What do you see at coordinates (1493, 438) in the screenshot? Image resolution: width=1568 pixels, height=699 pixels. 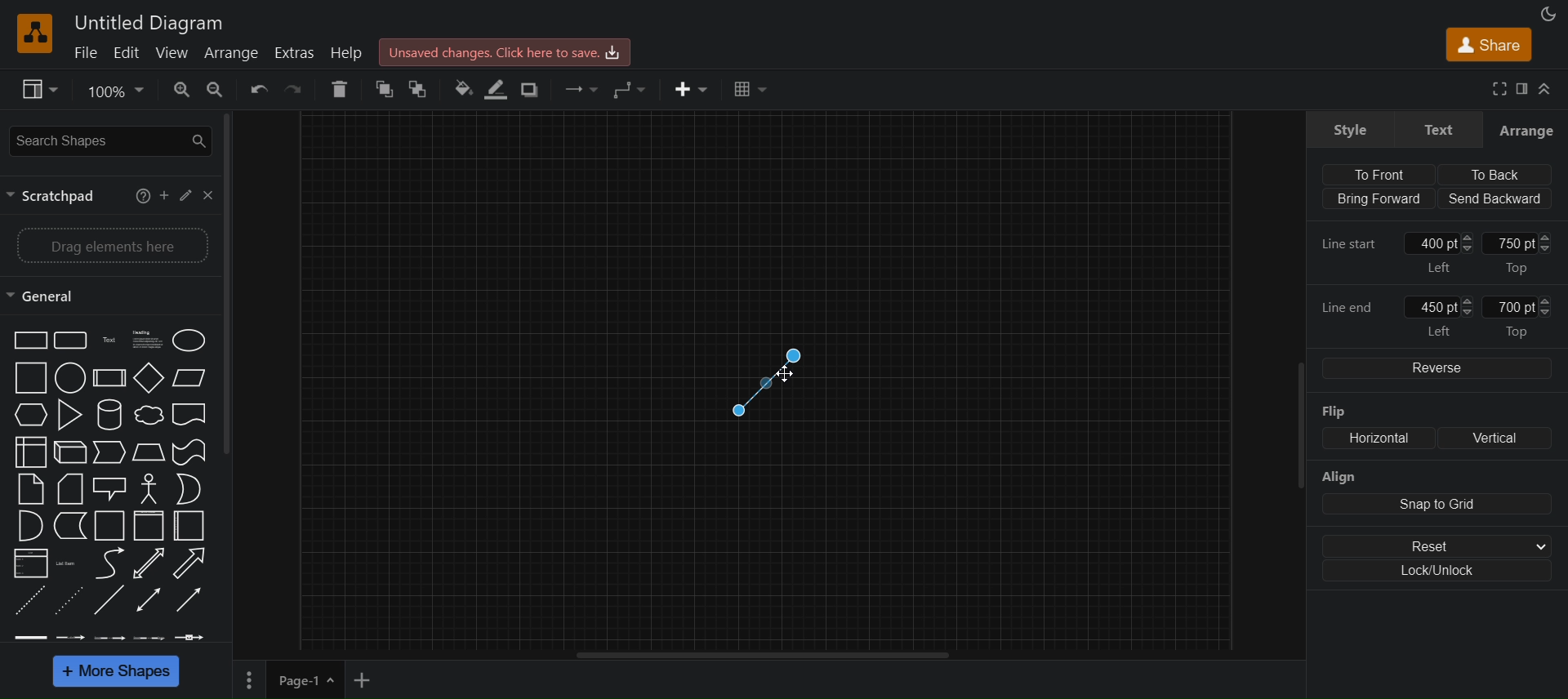 I see `vertical` at bounding box center [1493, 438].